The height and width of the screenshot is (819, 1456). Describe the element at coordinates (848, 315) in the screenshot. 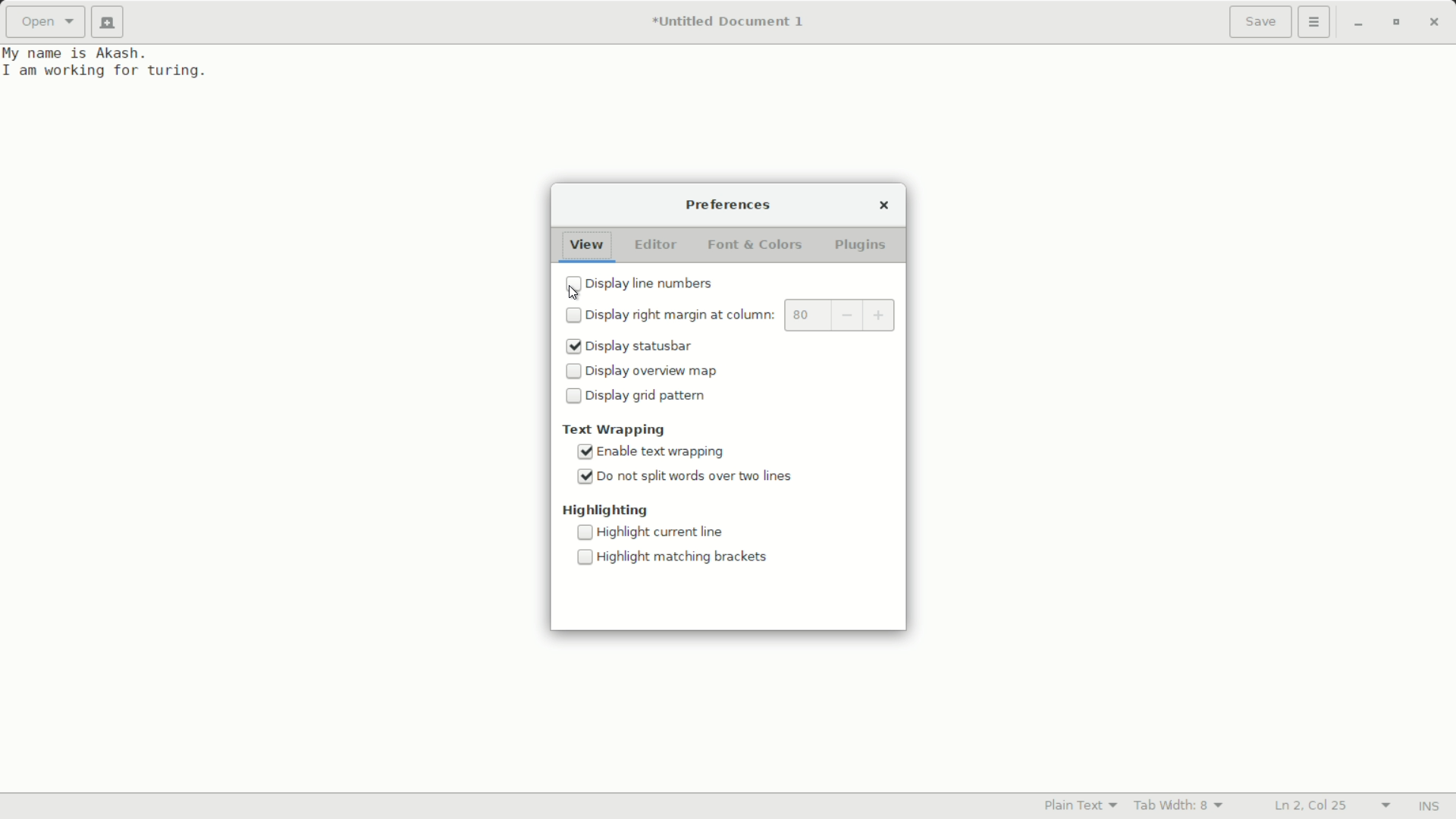

I see `decrease` at that location.